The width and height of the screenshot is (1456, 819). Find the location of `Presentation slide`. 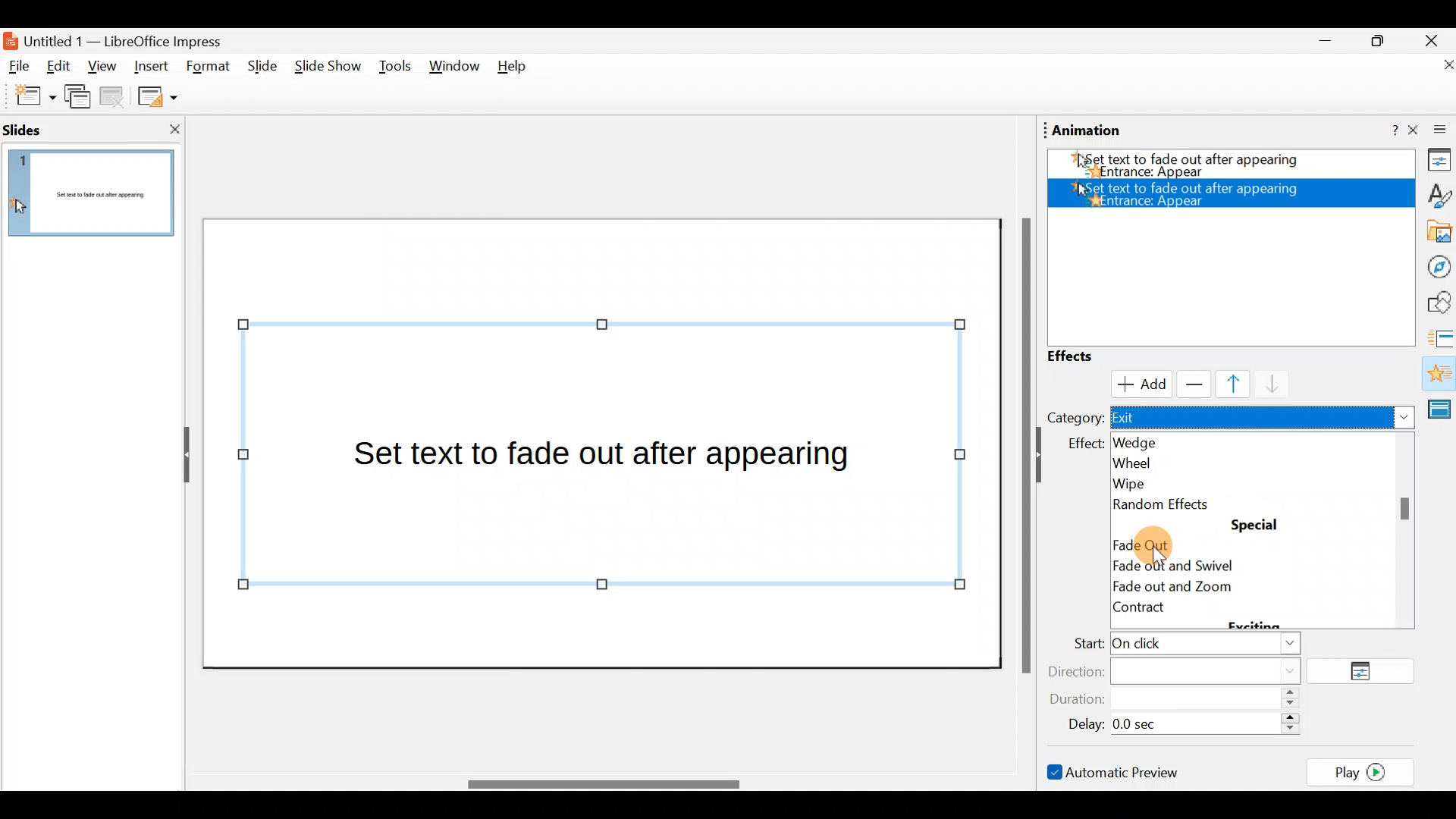

Presentation slide is located at coordinates (605, 442).